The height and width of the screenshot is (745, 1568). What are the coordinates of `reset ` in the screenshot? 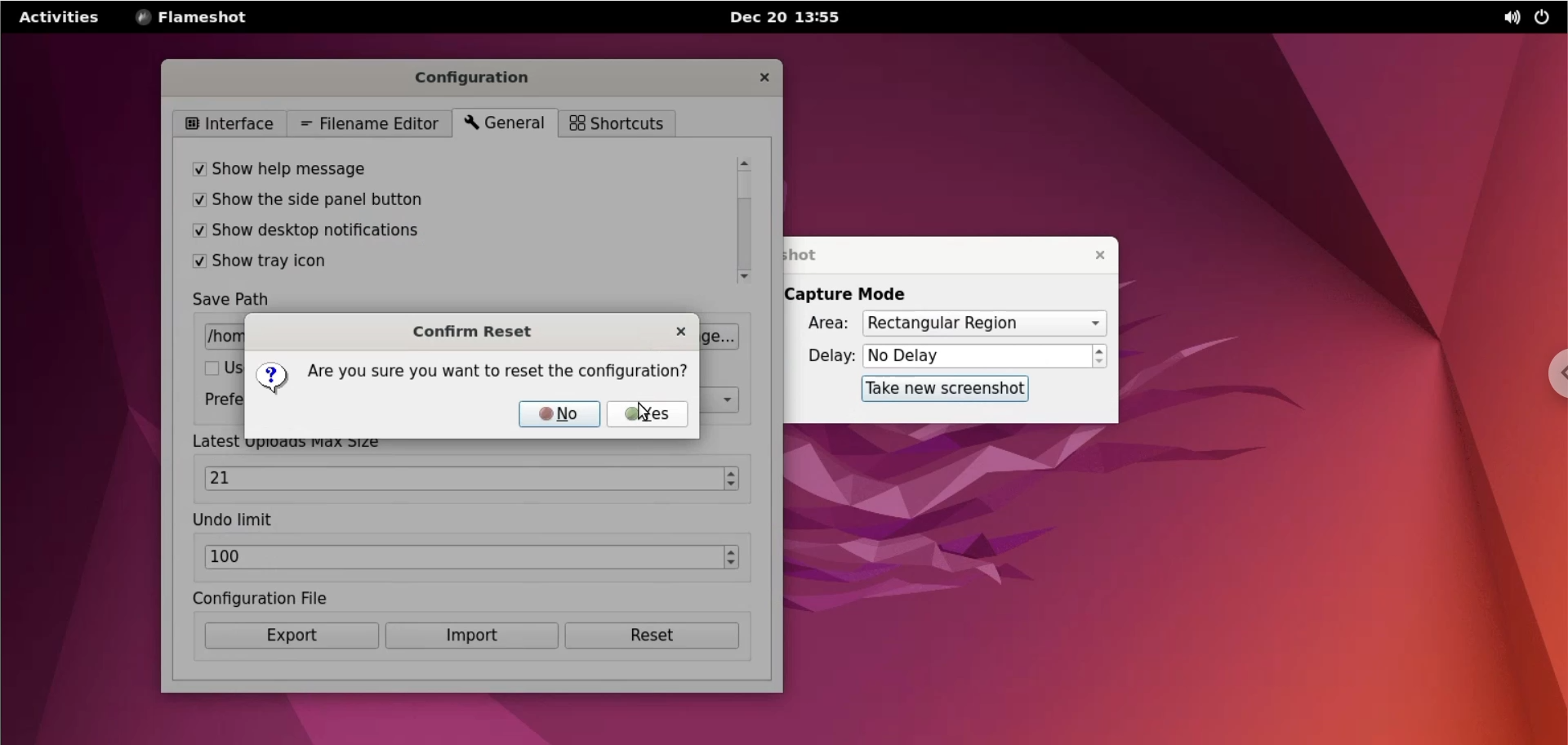 It's located at (650, 636).